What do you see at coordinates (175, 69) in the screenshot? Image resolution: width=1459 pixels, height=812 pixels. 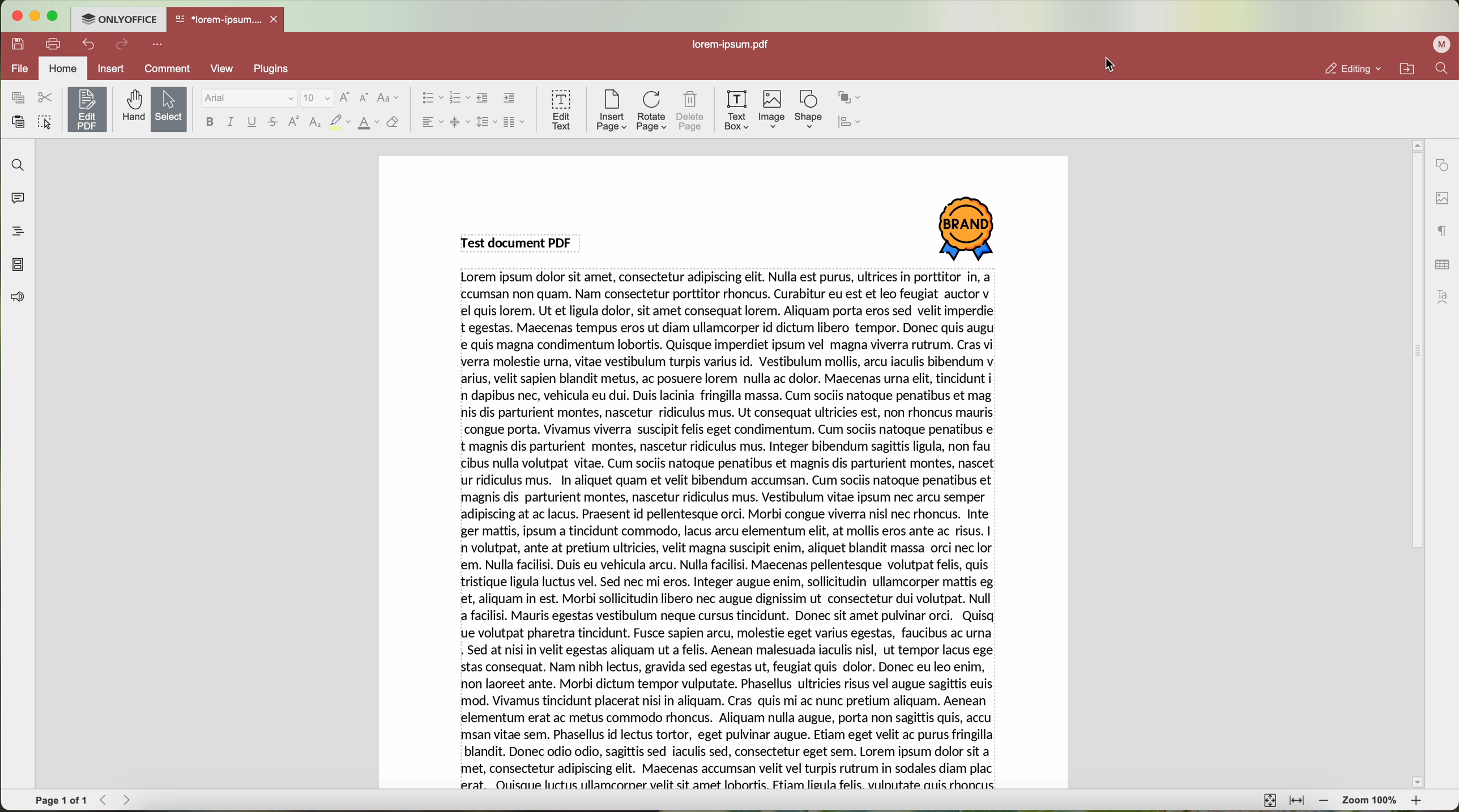 I see `comment` at bounding box center [175, 69].